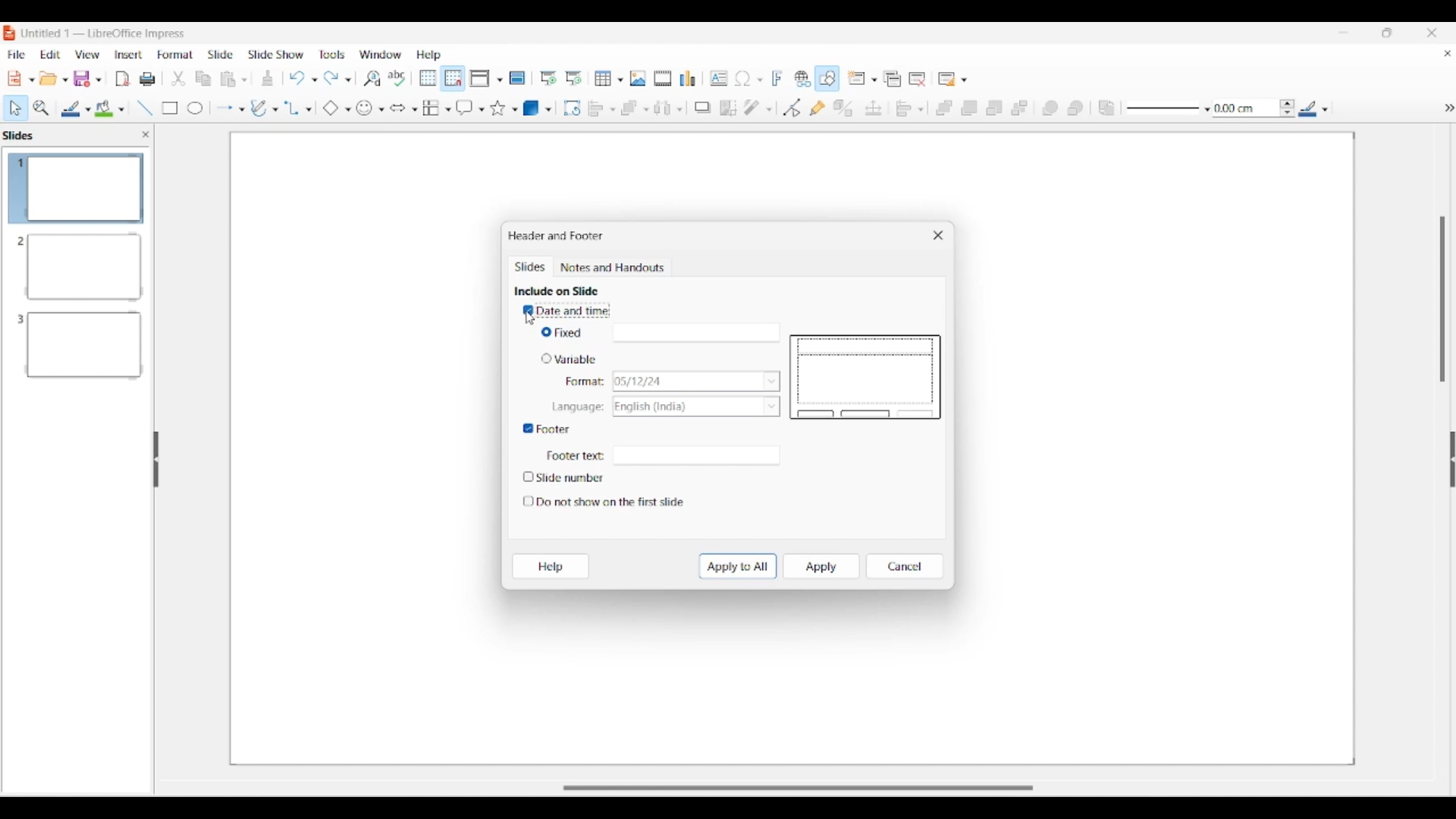 This screenshot has width=1456, height=819. What do you see at coordinates (575, 78) in the screenshot?
I see `Start from current slide` at bounding box center [575, 78].